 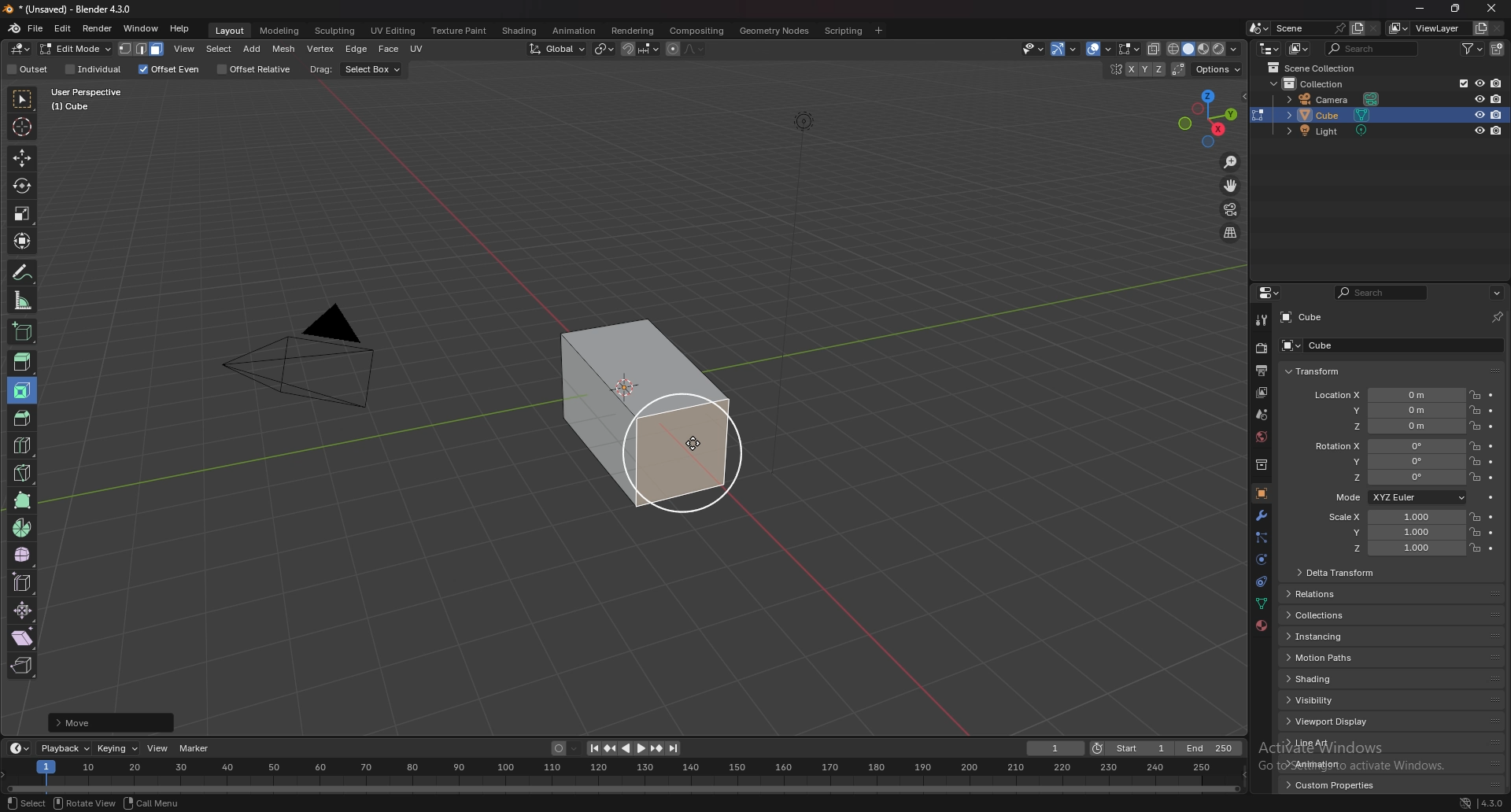 I want to click on options, so click(x=1219, y=70).